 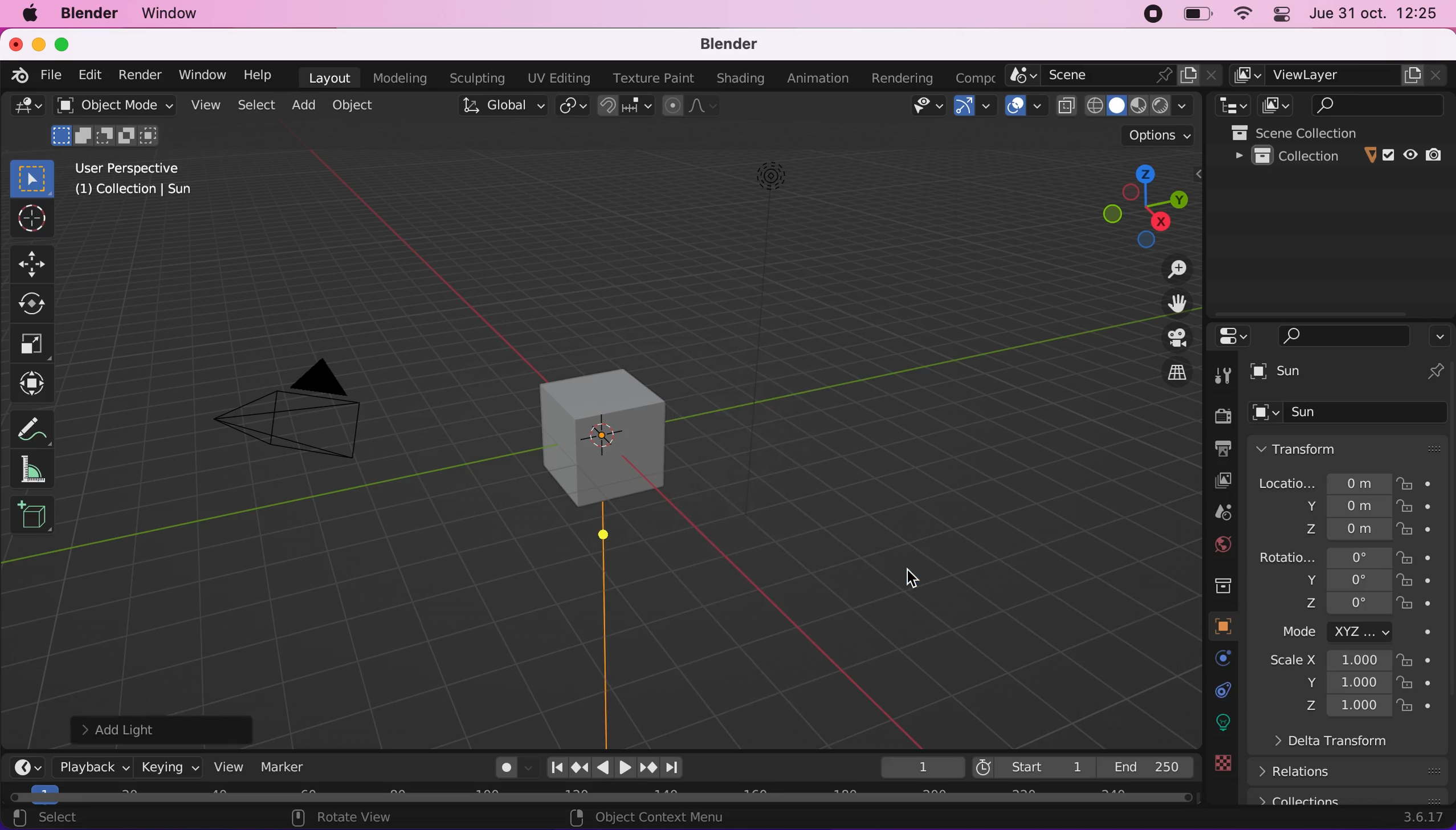 What do you see at coordinates (1425, 685) in the screenshot?
I see `lock` at bounding box center [1425, 685].